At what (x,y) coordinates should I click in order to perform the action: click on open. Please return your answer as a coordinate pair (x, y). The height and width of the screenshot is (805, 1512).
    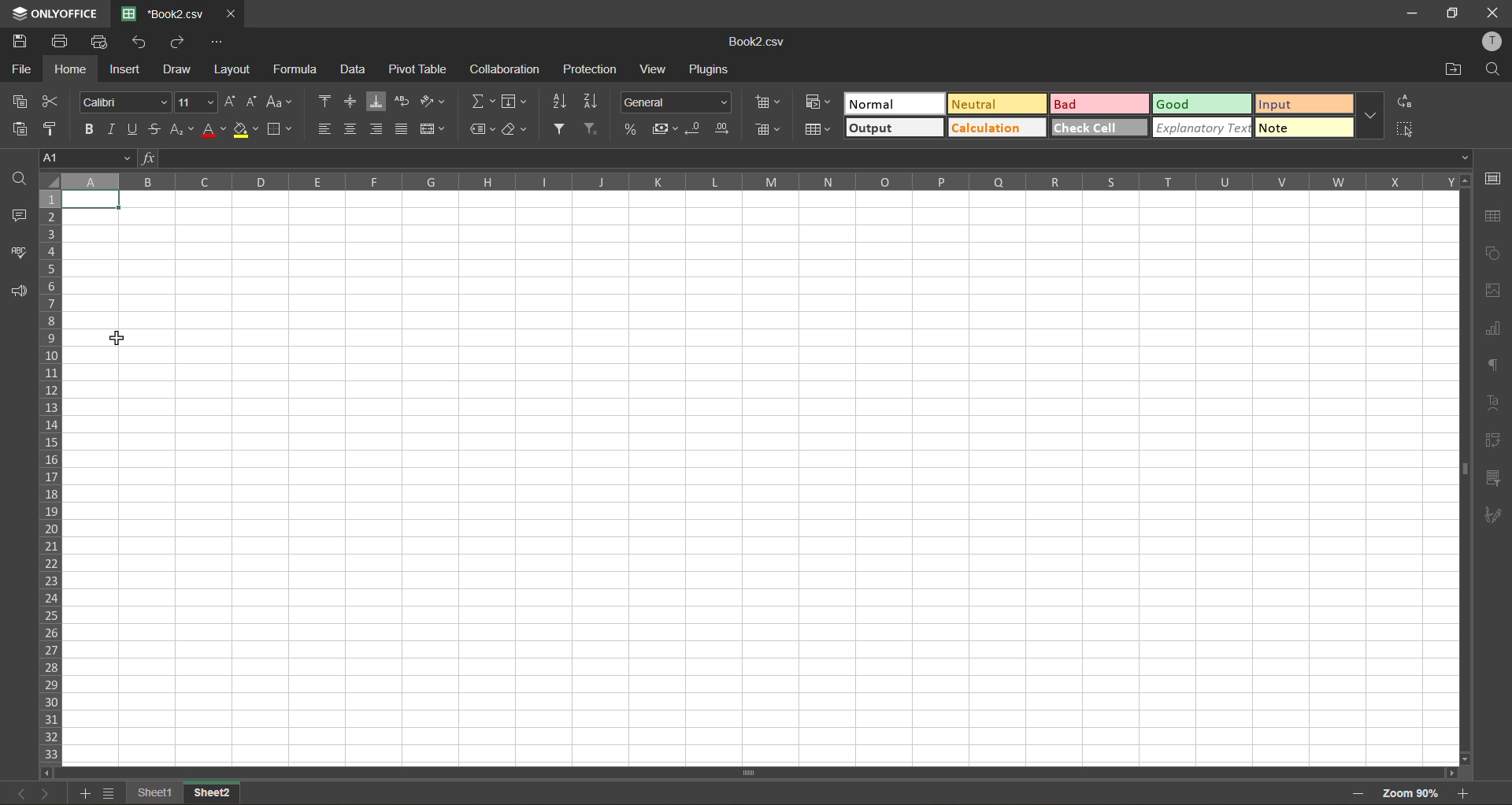
    Looking at the image, I should click on (13, 176).